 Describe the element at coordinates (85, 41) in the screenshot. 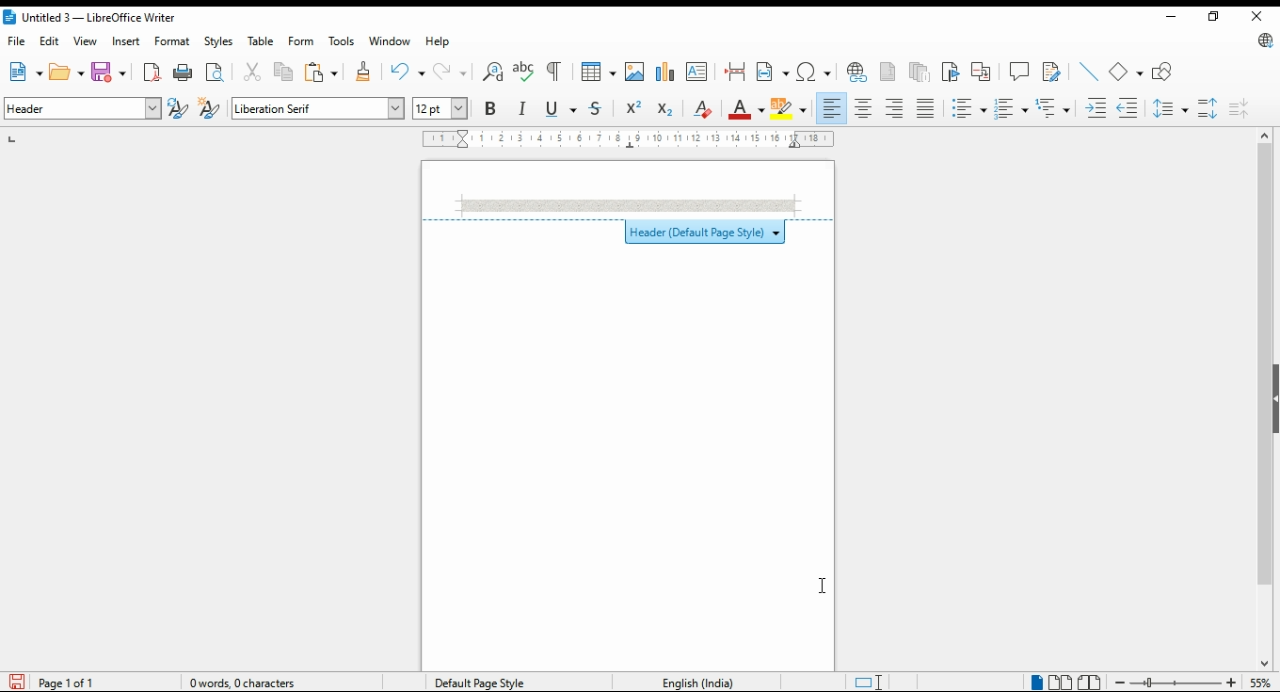

I see `view` at that location.